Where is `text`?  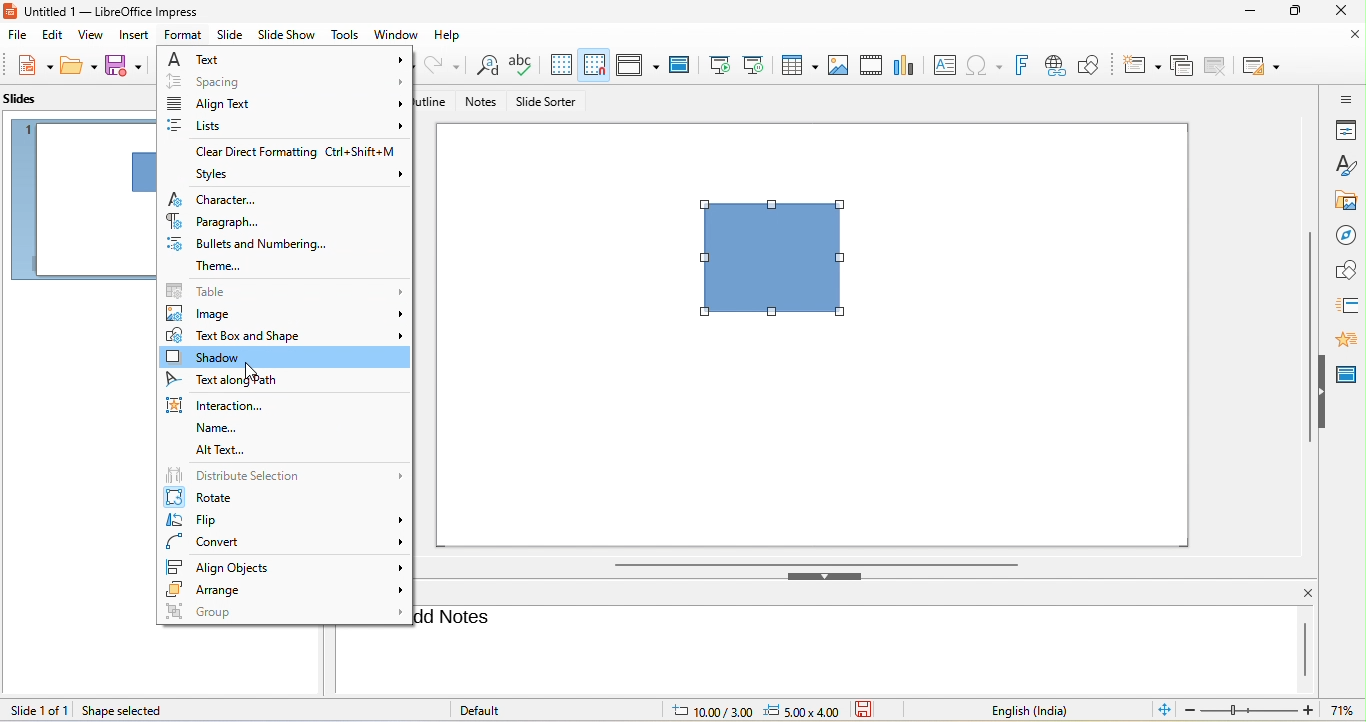
text is located at coordinates (282, 60).